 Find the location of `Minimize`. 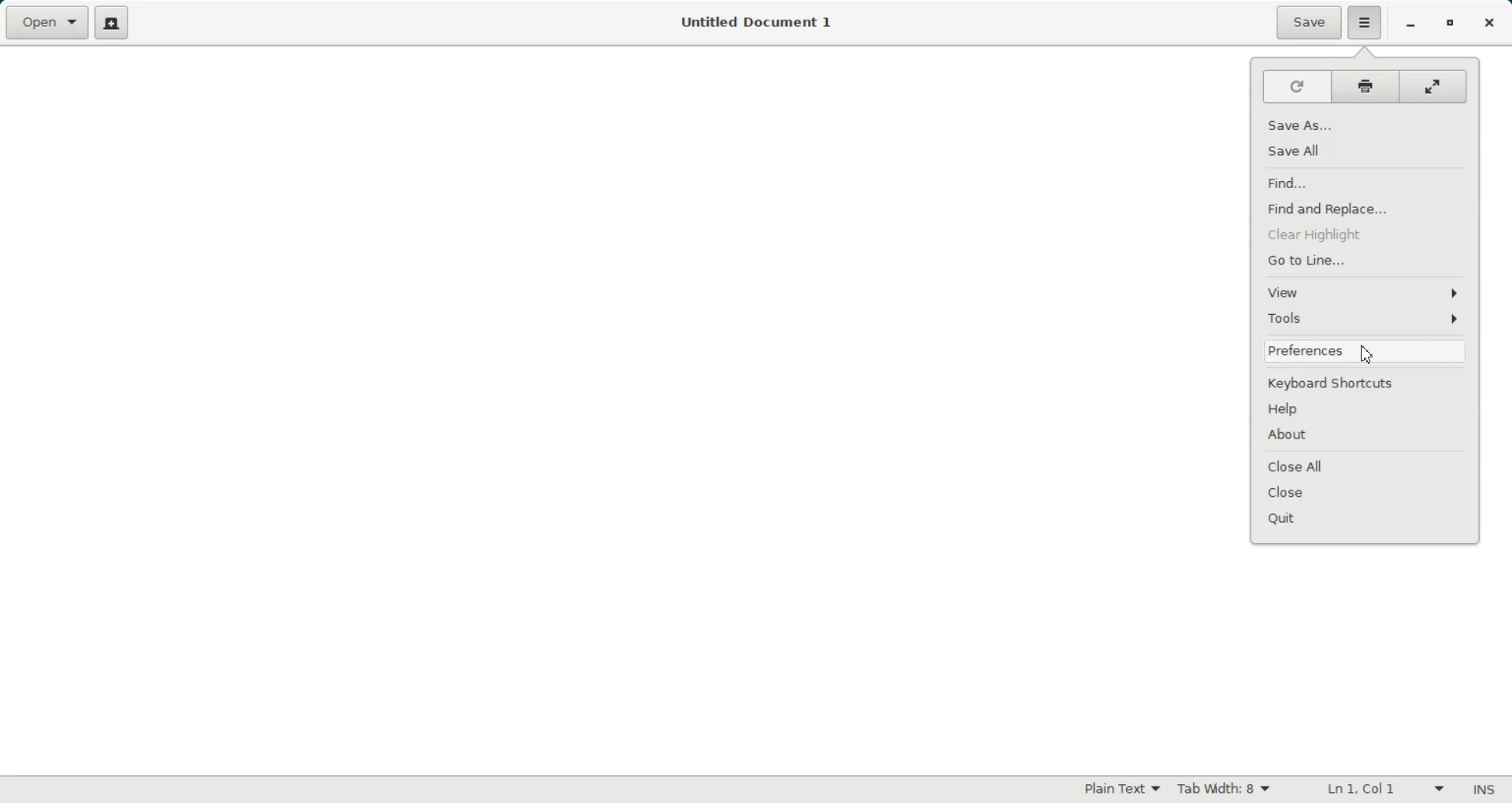

Minimize is located at coordinates (1410, 24).